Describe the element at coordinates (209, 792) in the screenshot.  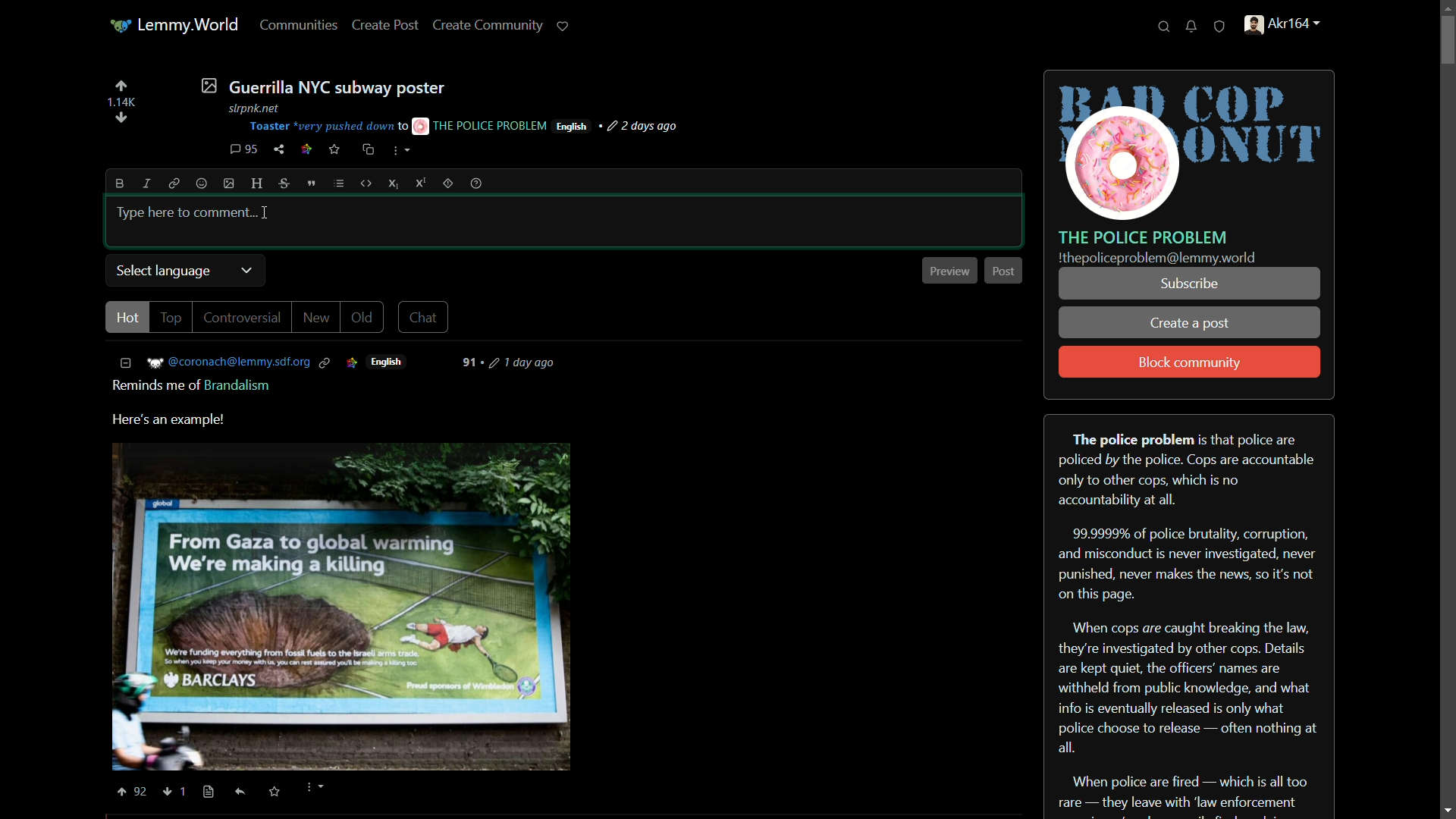
I see `view source` at that location.